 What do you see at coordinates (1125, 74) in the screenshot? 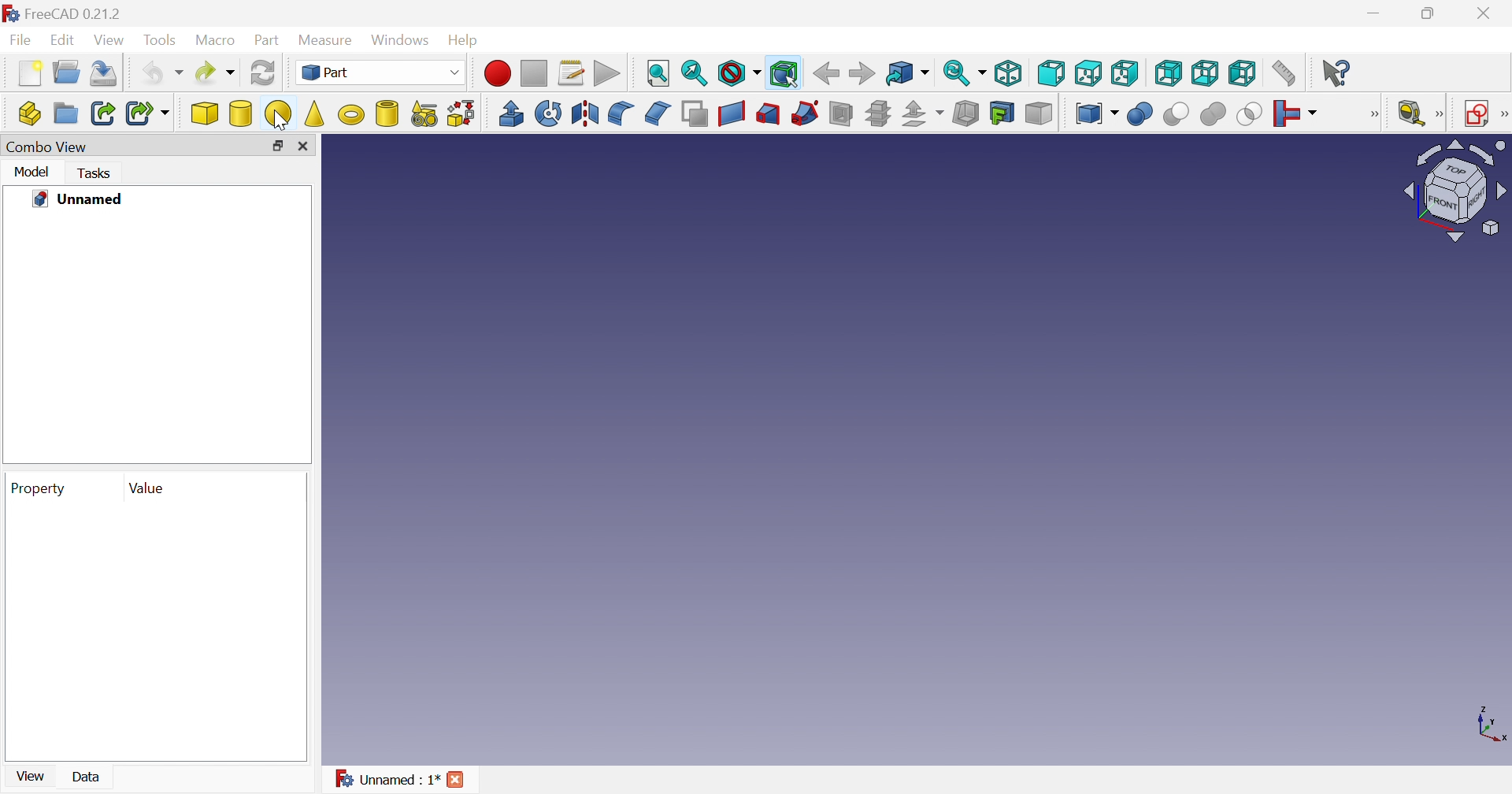
I see `Right` at bounding box center [1125, 74].